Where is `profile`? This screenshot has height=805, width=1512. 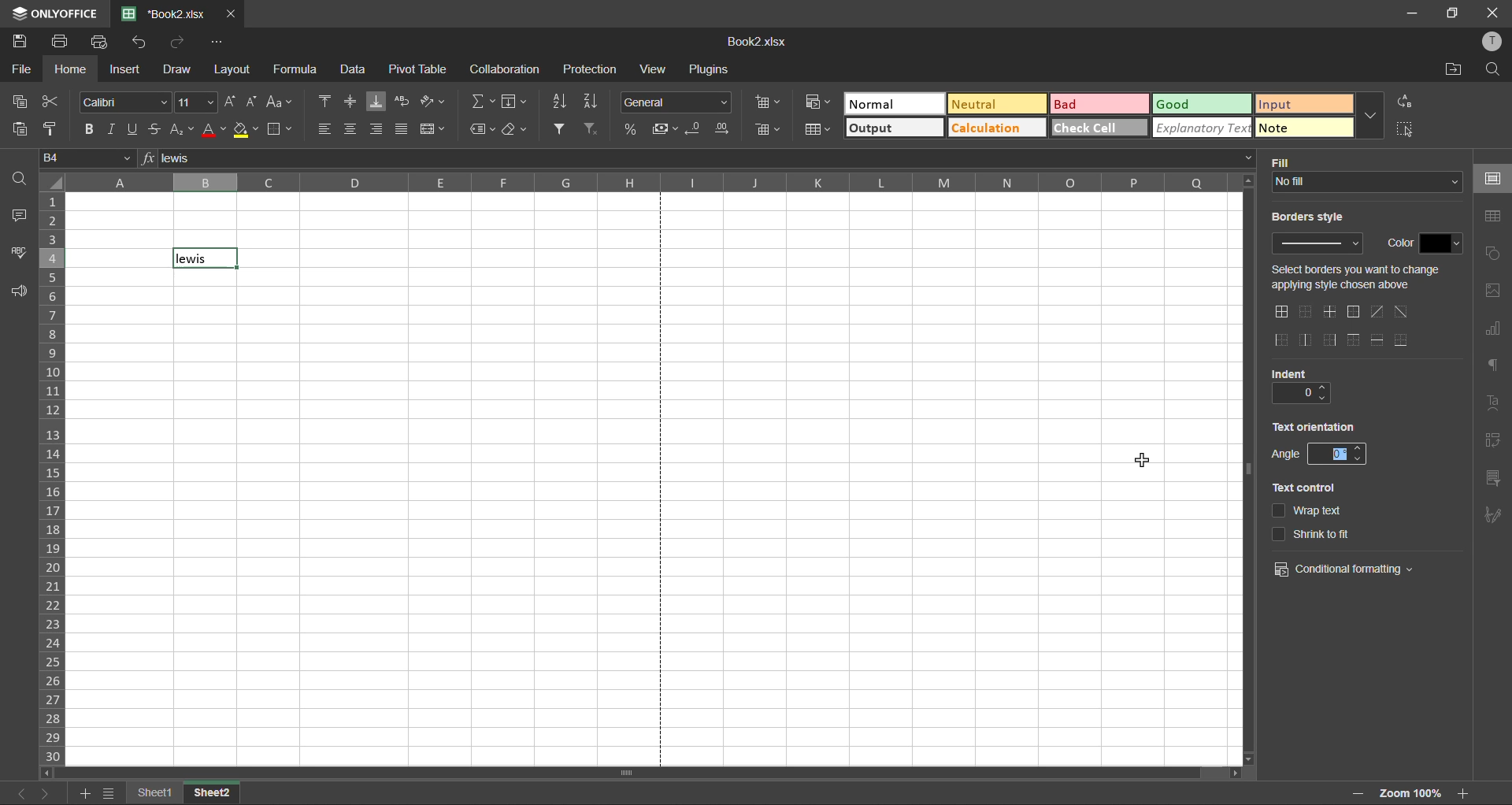
profile is located at coordinates (1489, 42).